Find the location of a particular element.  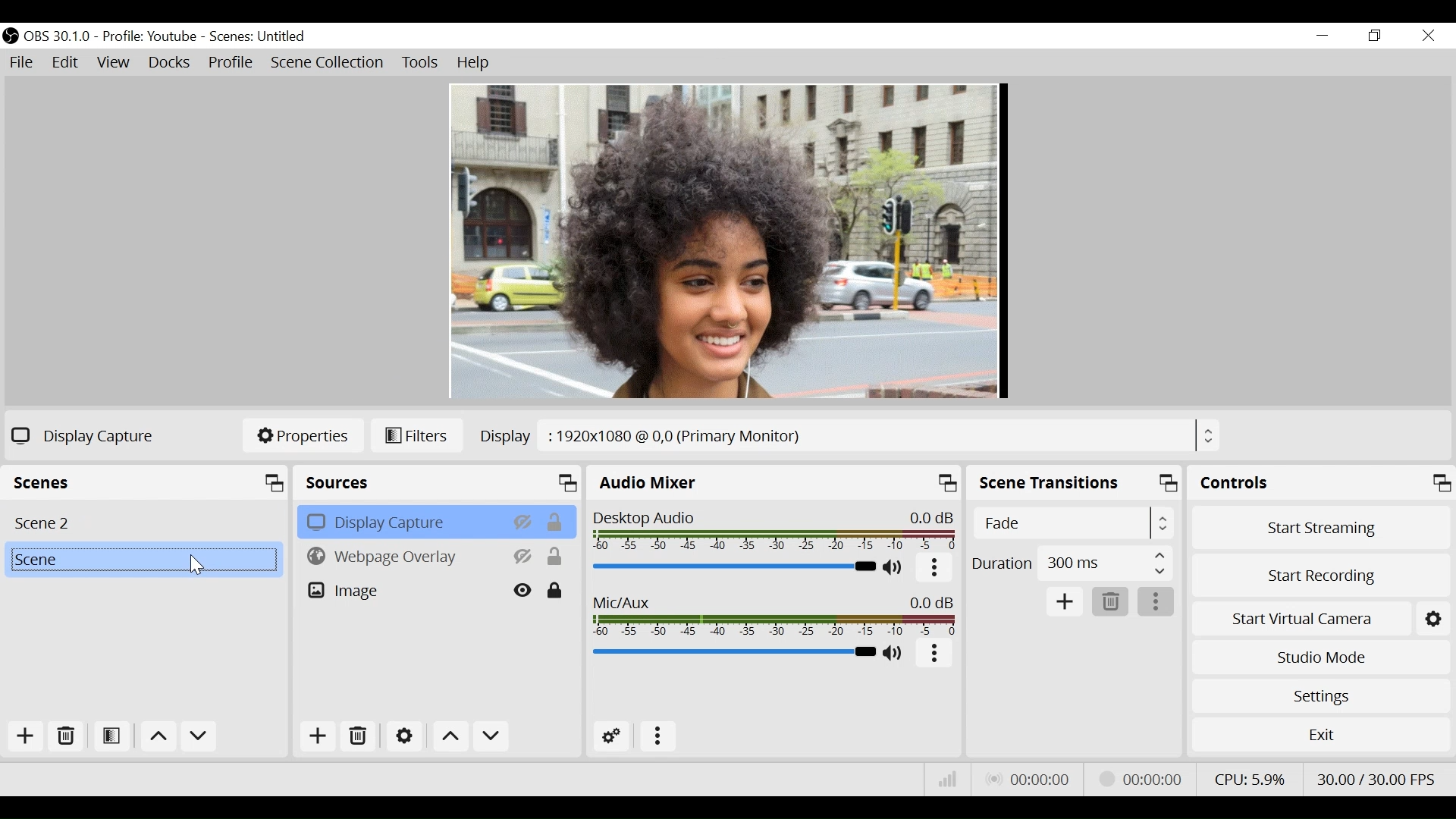

Settings is located at coordinates (1432, 619).